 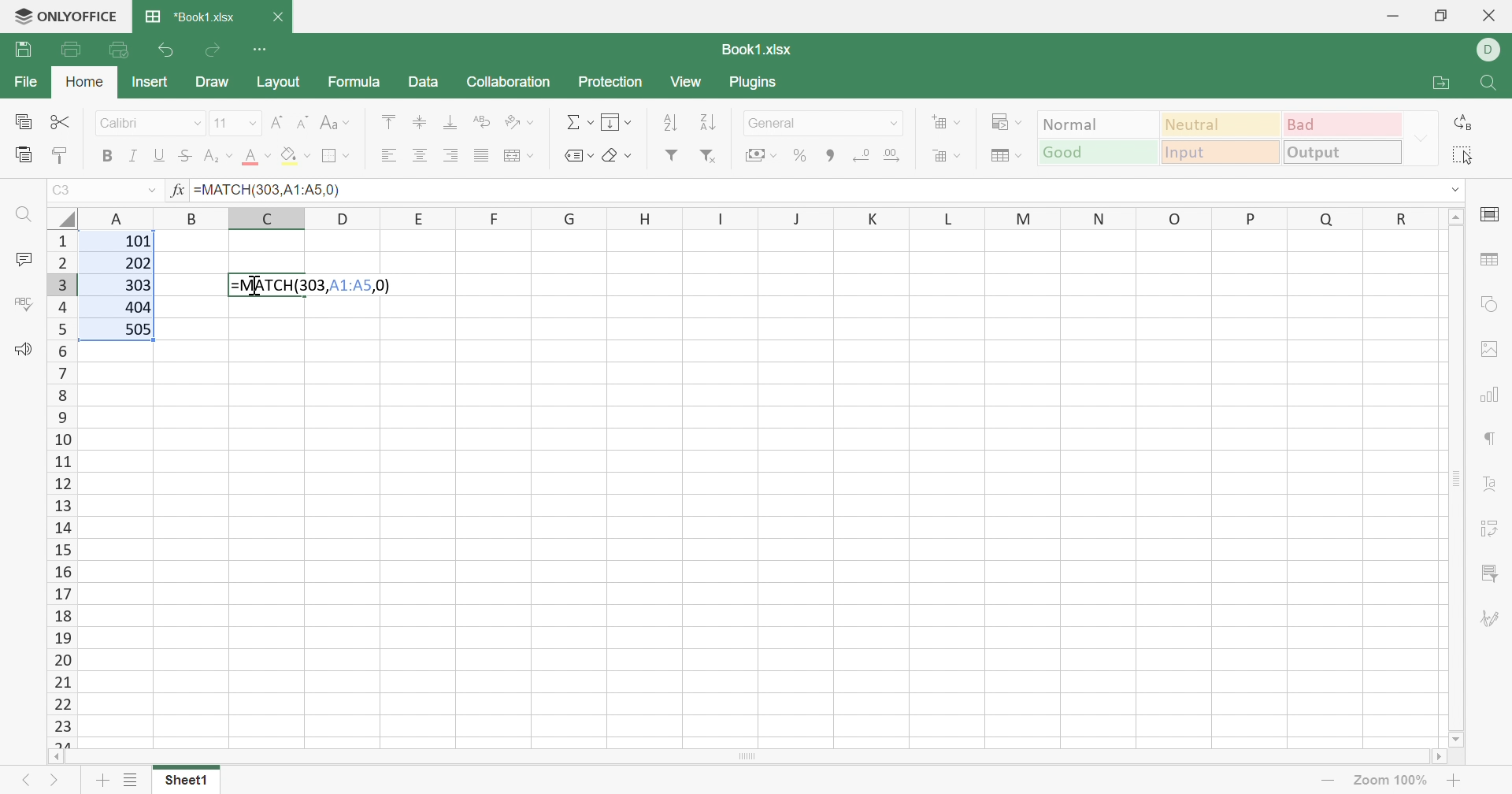 I want to click on Good, so click(x=1095, y=151).